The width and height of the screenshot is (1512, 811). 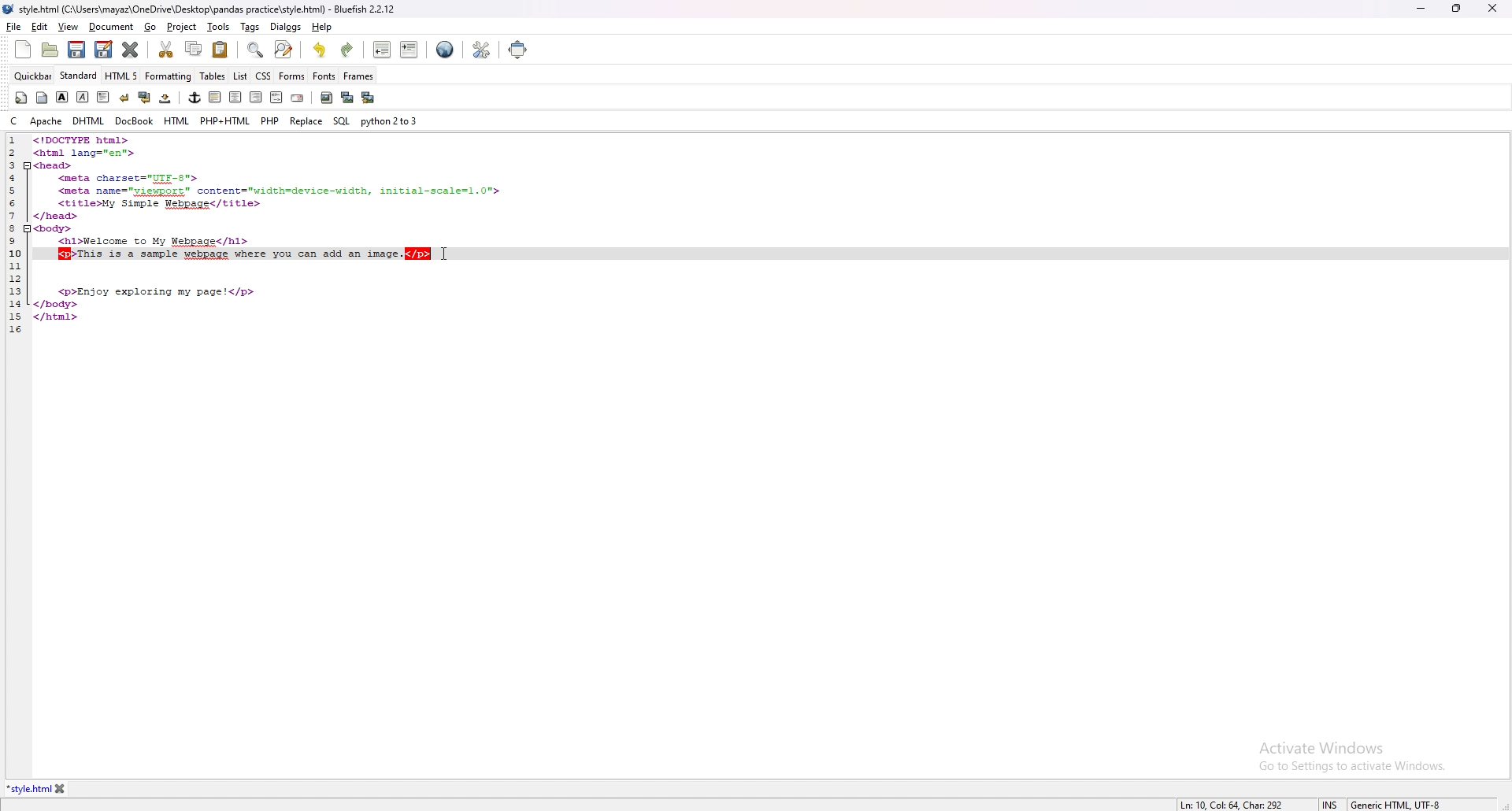 What do you see at coordinates (263, 75) in the screenshot?
I see `css` at bounding box center [263, 75].